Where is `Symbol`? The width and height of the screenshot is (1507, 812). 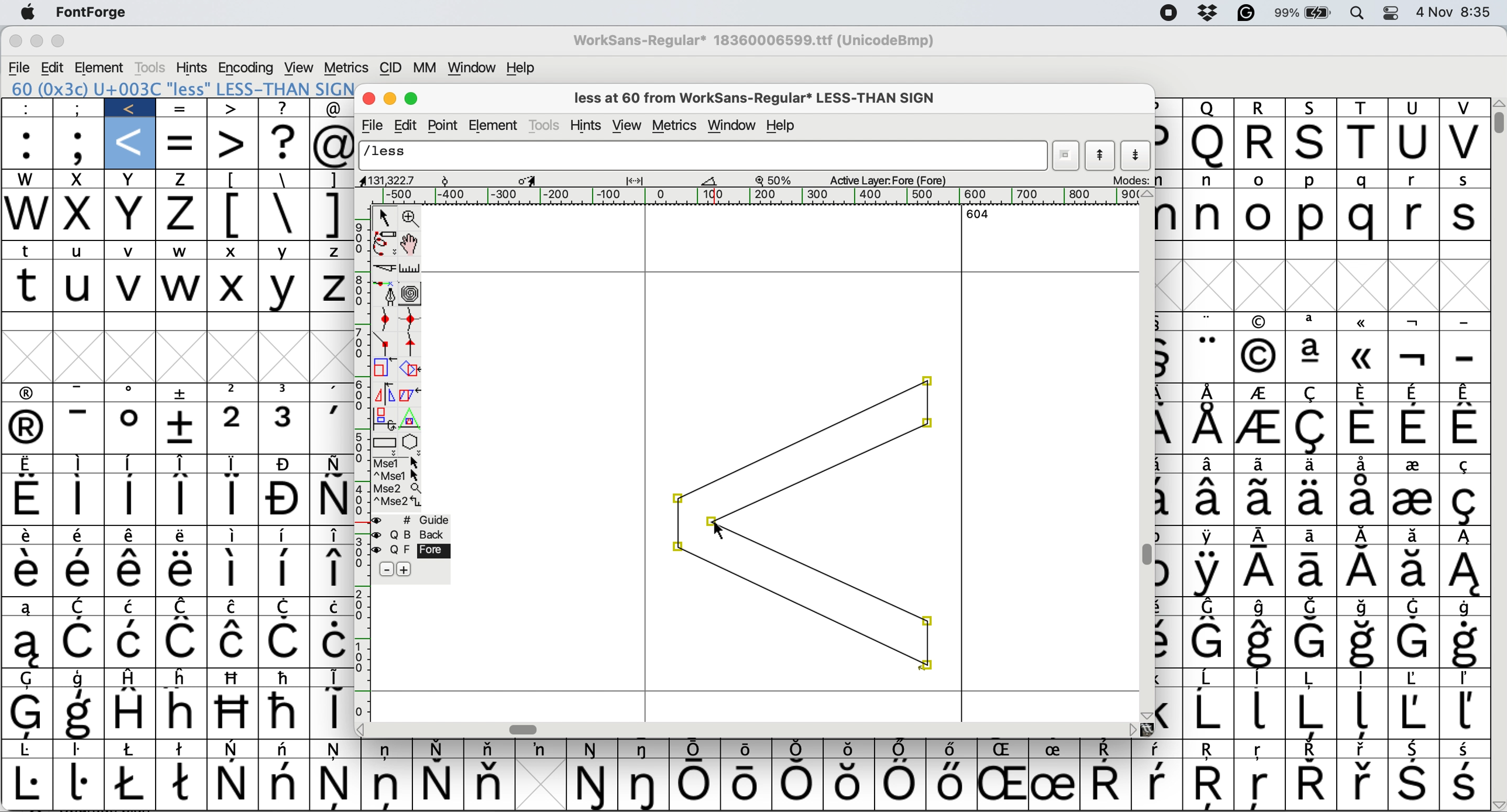
Symbol is located at coordinates (184, 786).